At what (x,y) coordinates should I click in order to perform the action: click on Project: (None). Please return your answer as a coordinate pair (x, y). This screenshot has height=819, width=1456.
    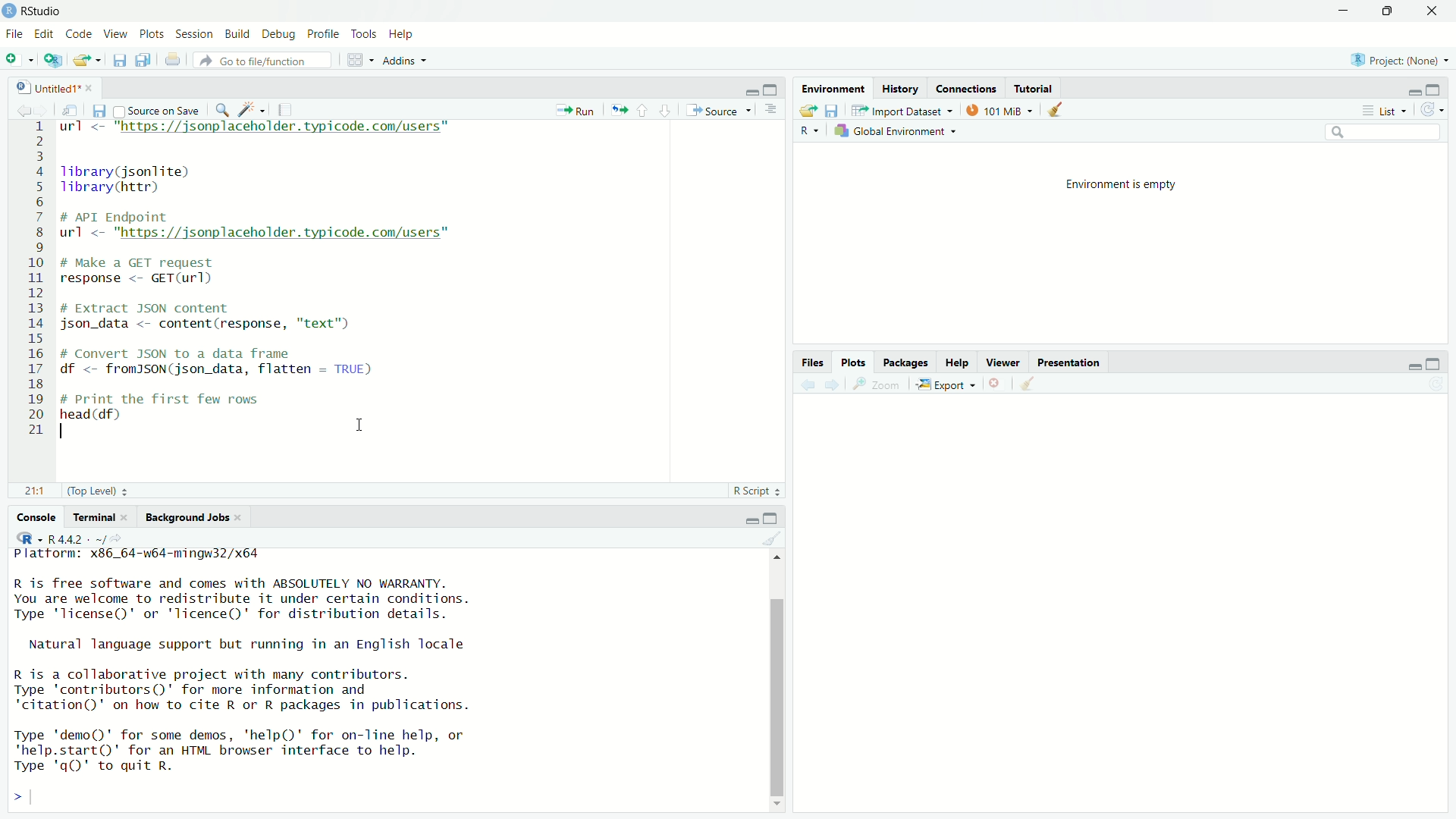
    Looking at the image, I should click on (1399, 60).